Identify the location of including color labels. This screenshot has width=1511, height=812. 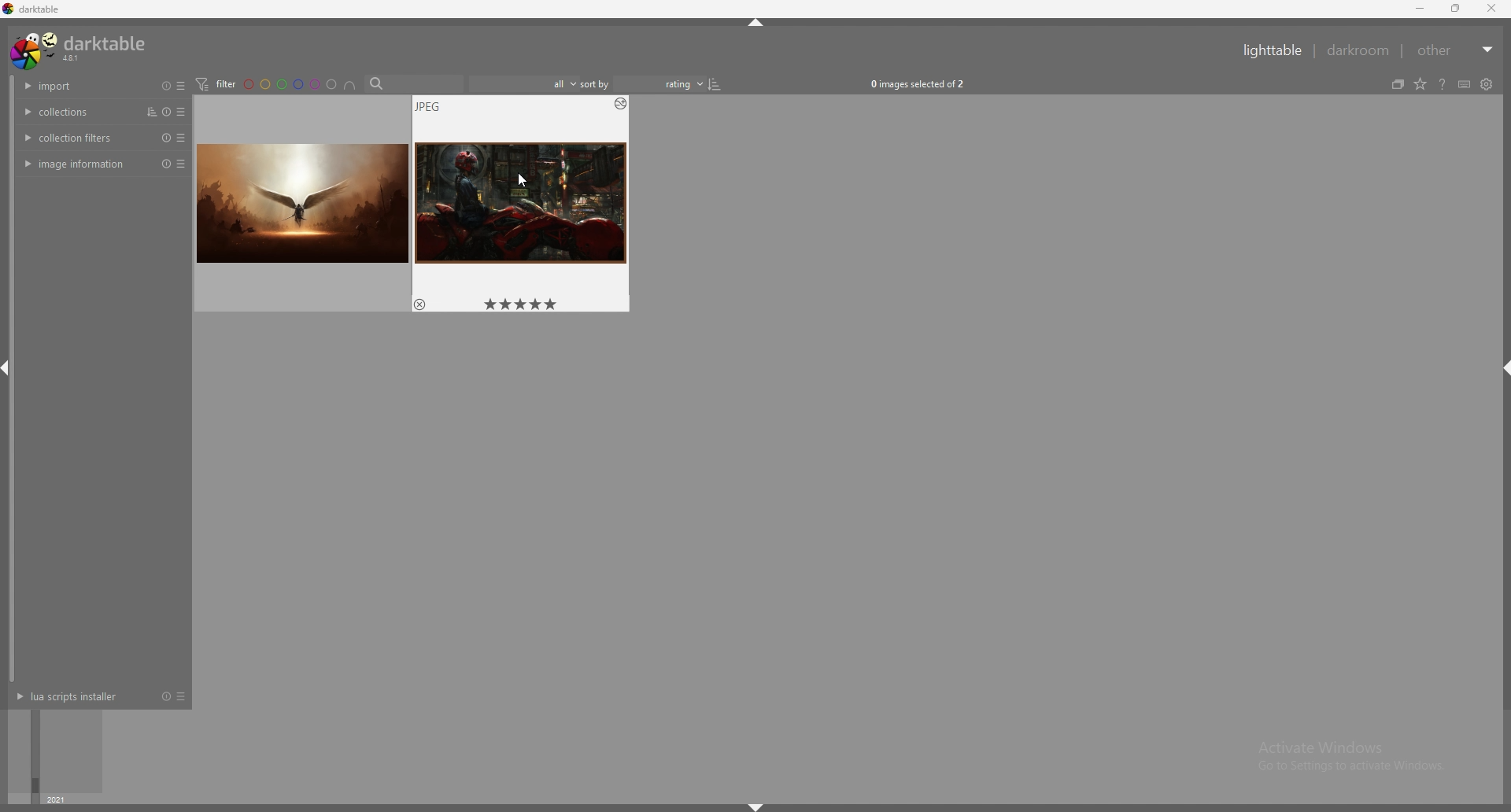
(349, 86).